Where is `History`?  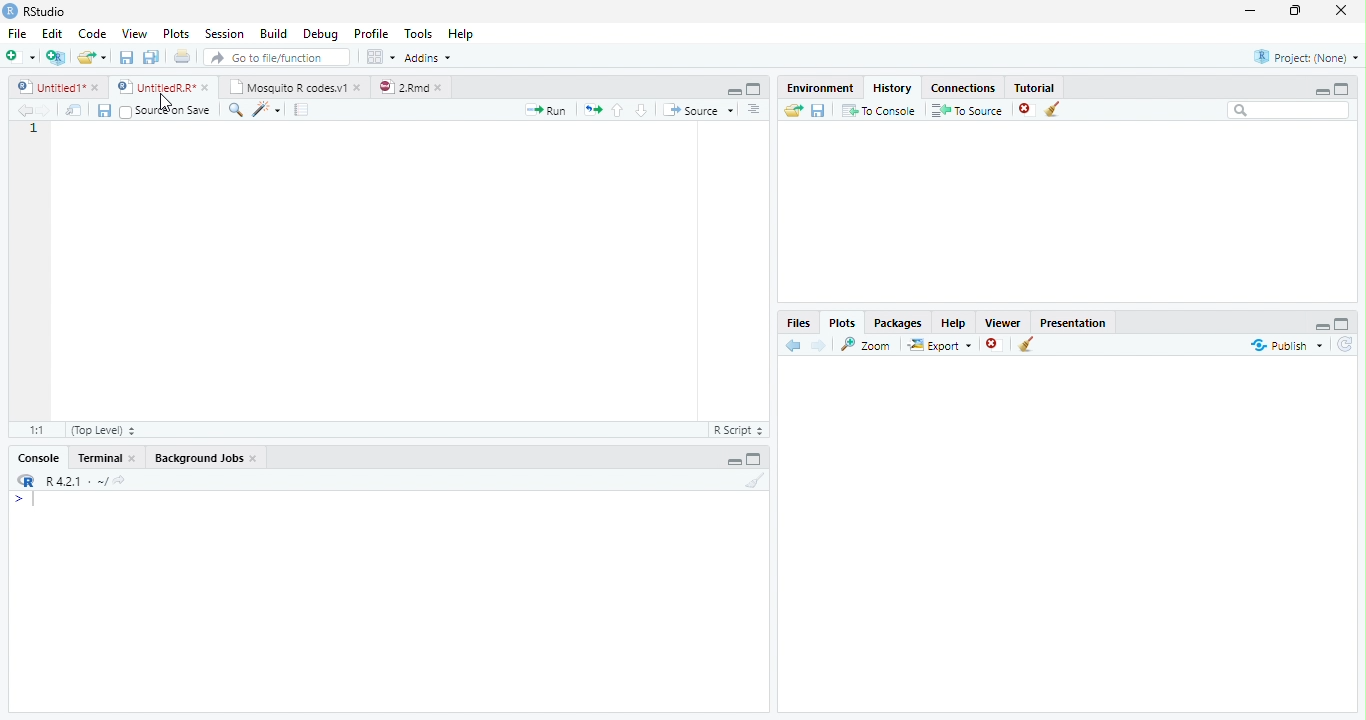 History is located at coordinates (893, 86).